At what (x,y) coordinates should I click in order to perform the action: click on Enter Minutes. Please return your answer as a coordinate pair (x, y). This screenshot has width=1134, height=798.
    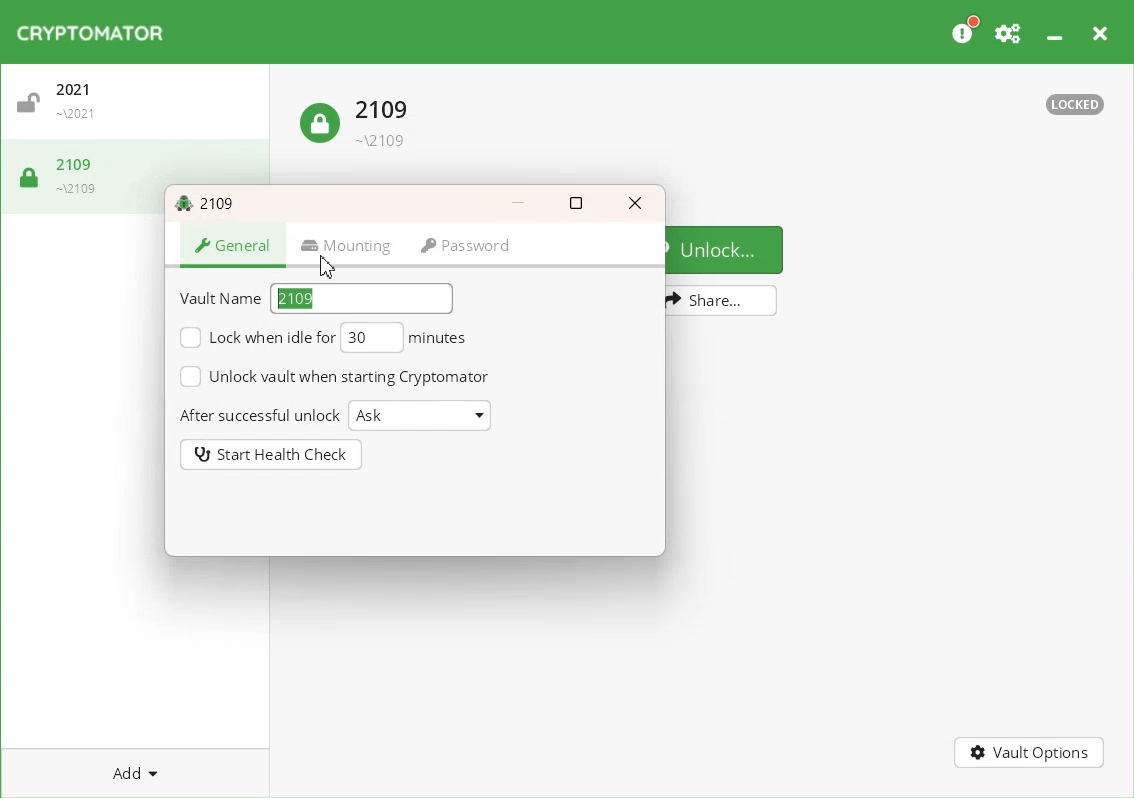
    Looking at the image, I should click on (405, 340).